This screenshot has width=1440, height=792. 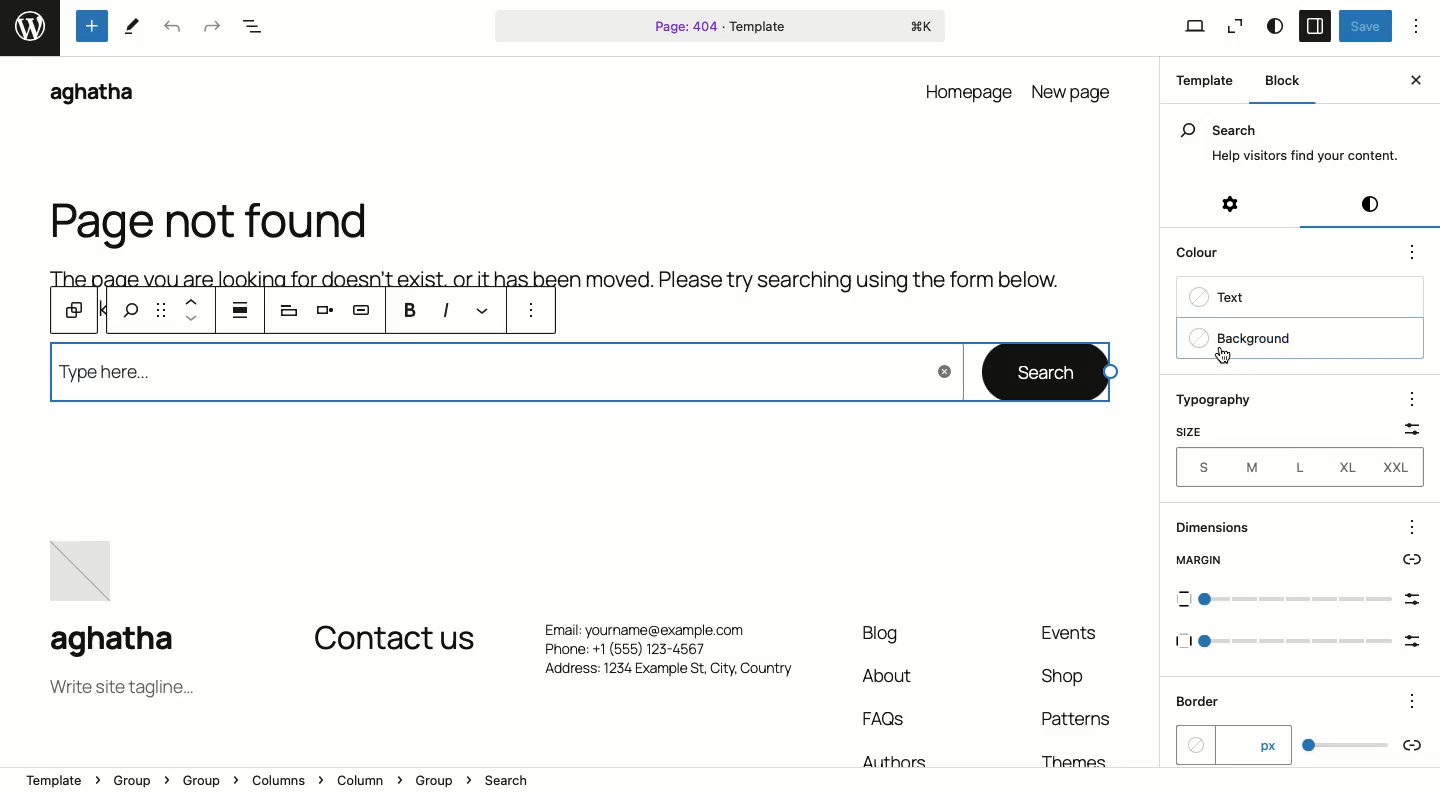 I want to click on Page not found, so click(x=209, y=223).